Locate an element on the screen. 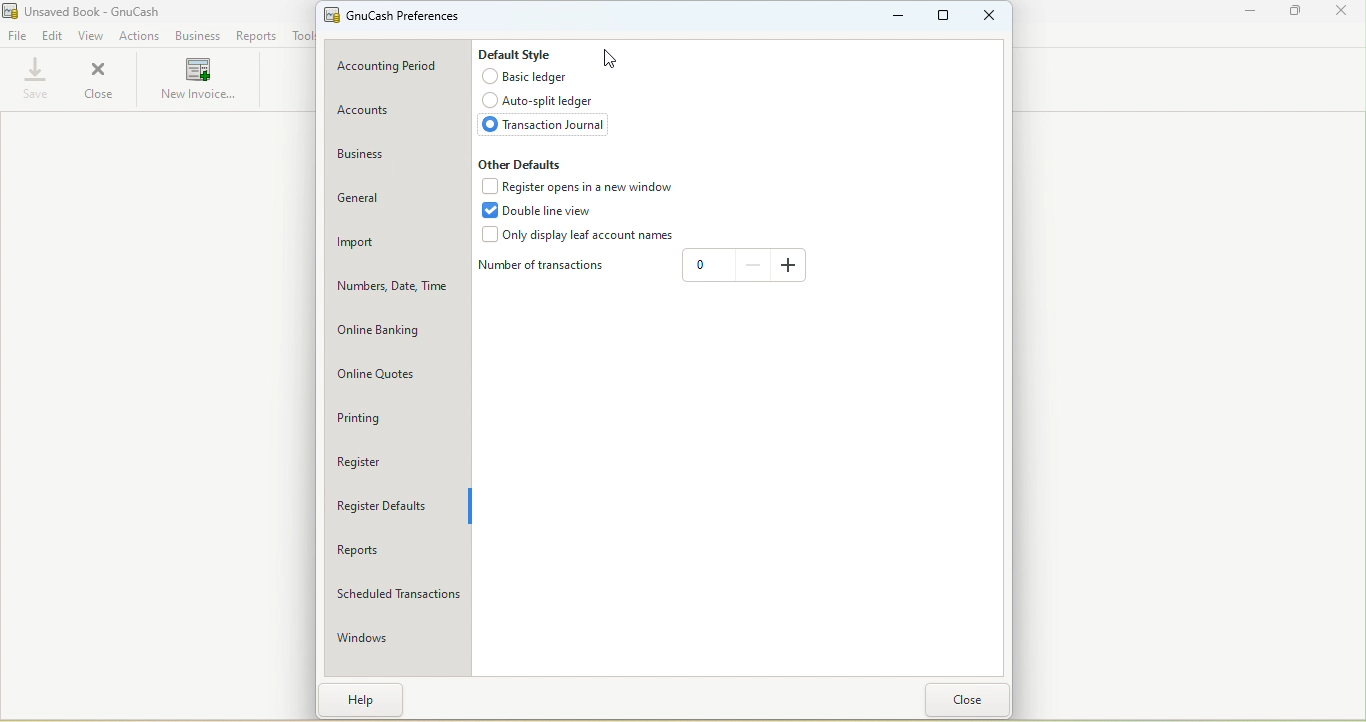  Edit is located at coordinates (54, 38).